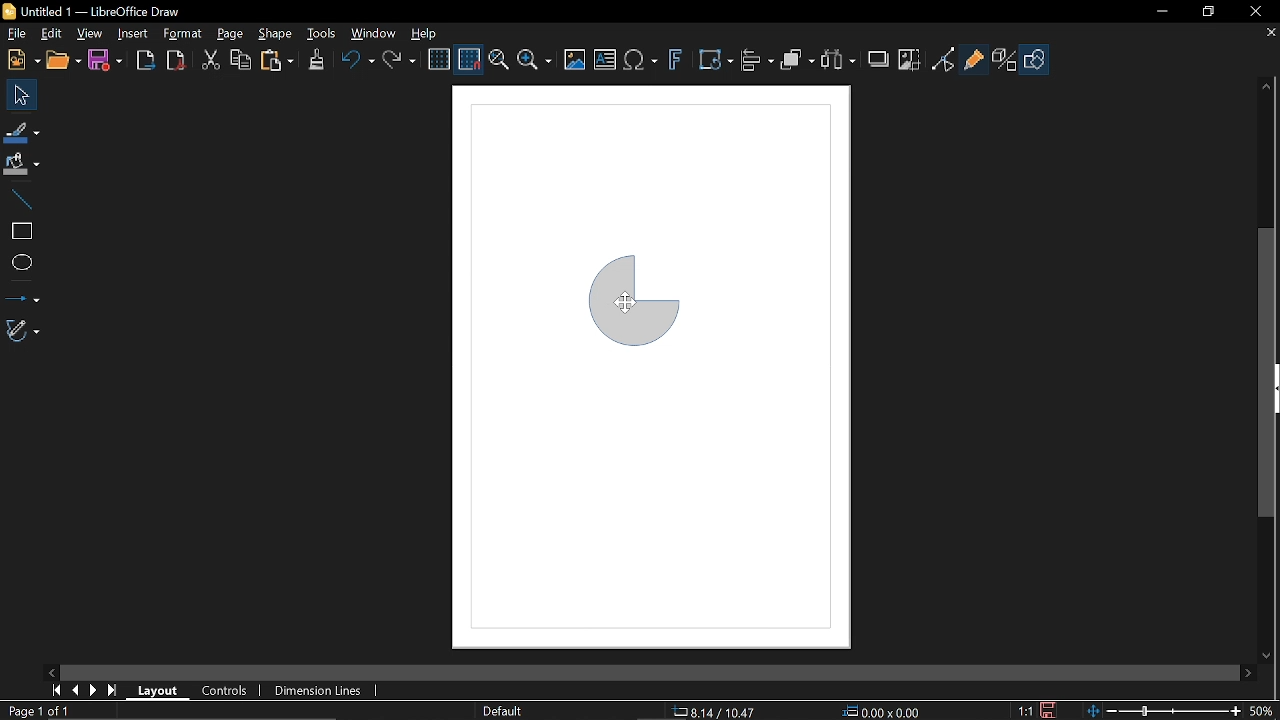 Image resolution: width=1280 pixels, height=720 pixels. I want to click on Snap to grid, so click(470, 58).